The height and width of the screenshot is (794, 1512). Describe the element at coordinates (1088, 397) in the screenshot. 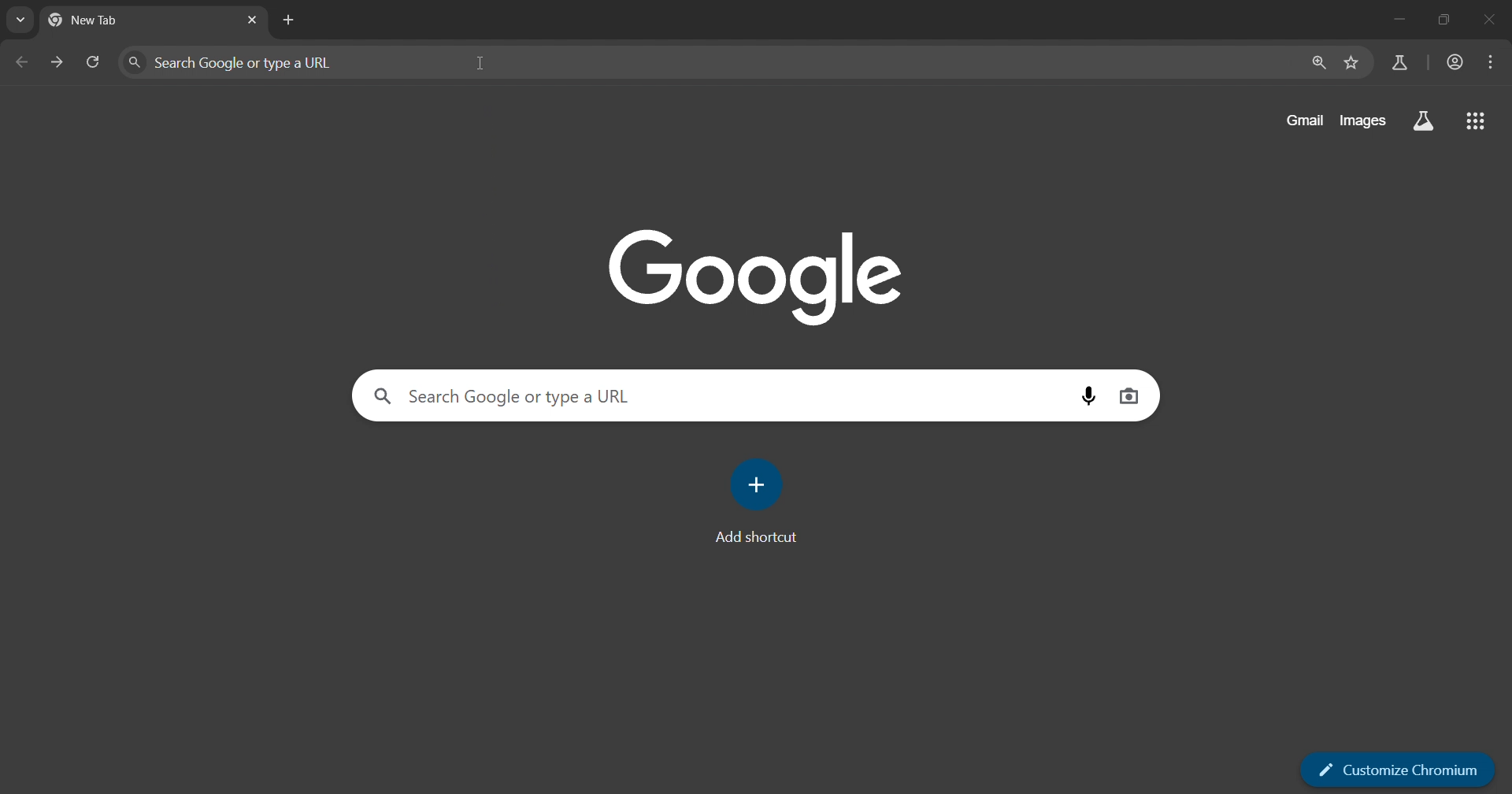

I see `voice search` at that location.